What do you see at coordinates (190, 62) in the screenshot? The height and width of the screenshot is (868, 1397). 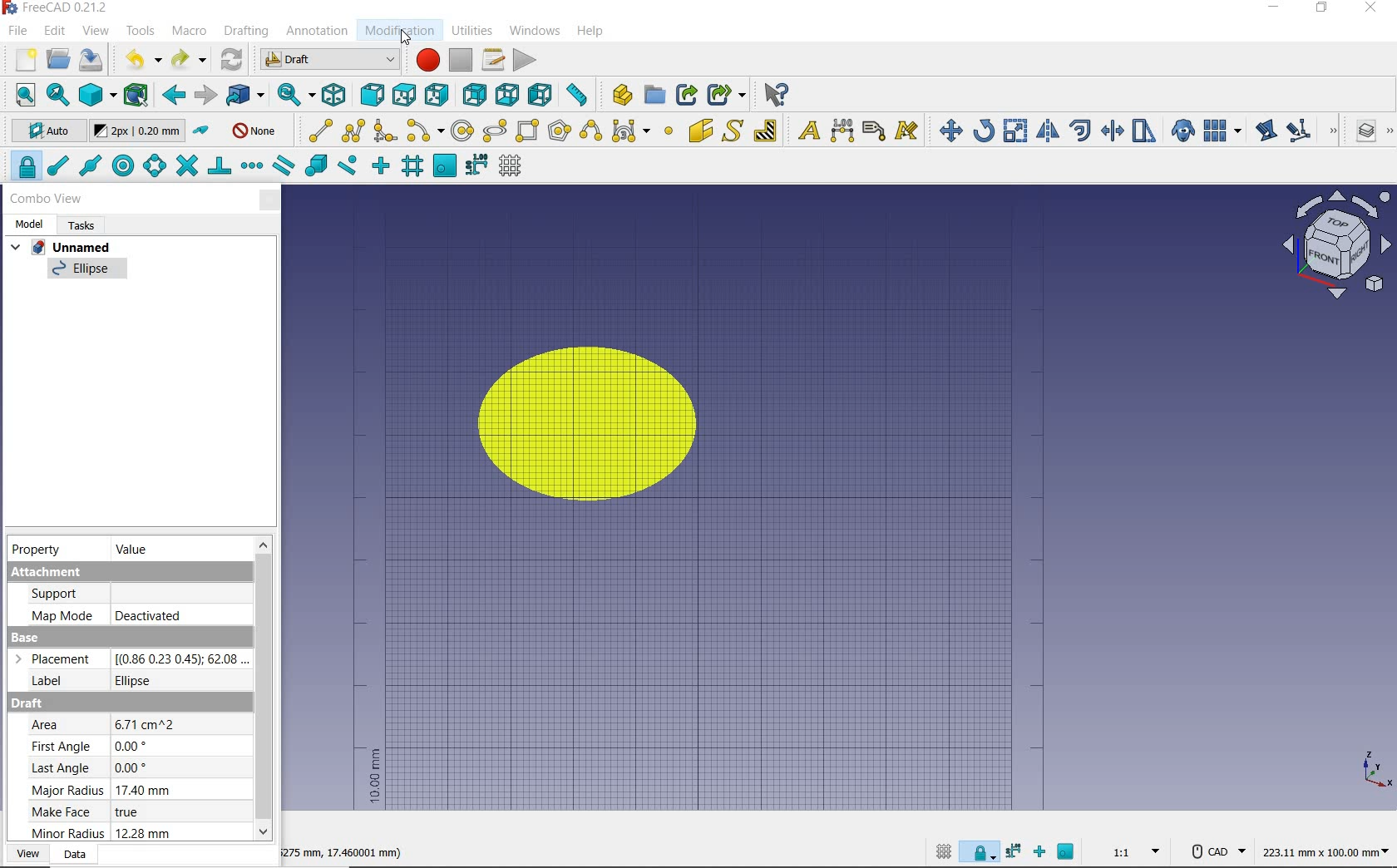 I see `redo` at bounding box center [190, 62].